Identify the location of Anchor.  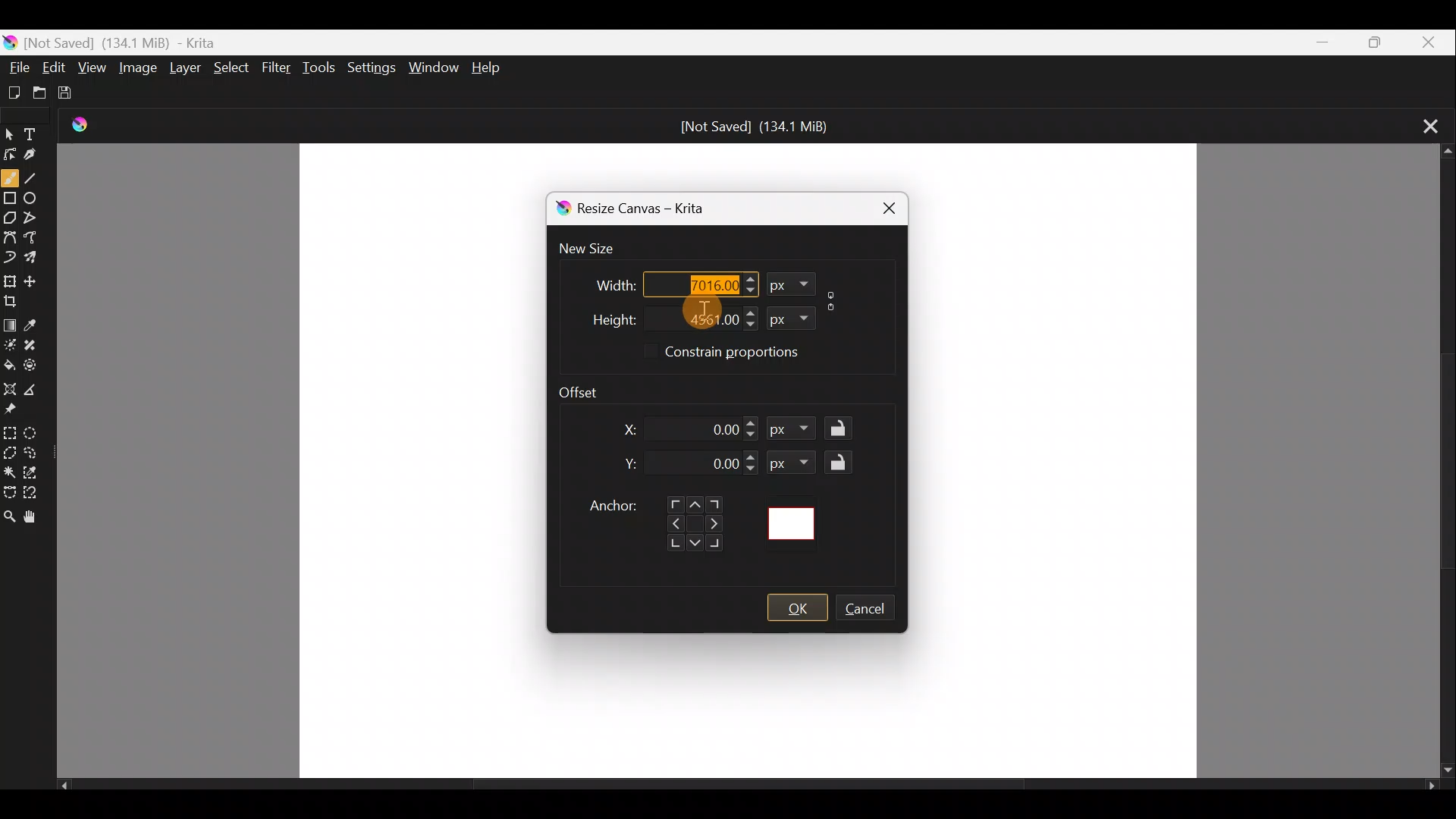
(654, 518).